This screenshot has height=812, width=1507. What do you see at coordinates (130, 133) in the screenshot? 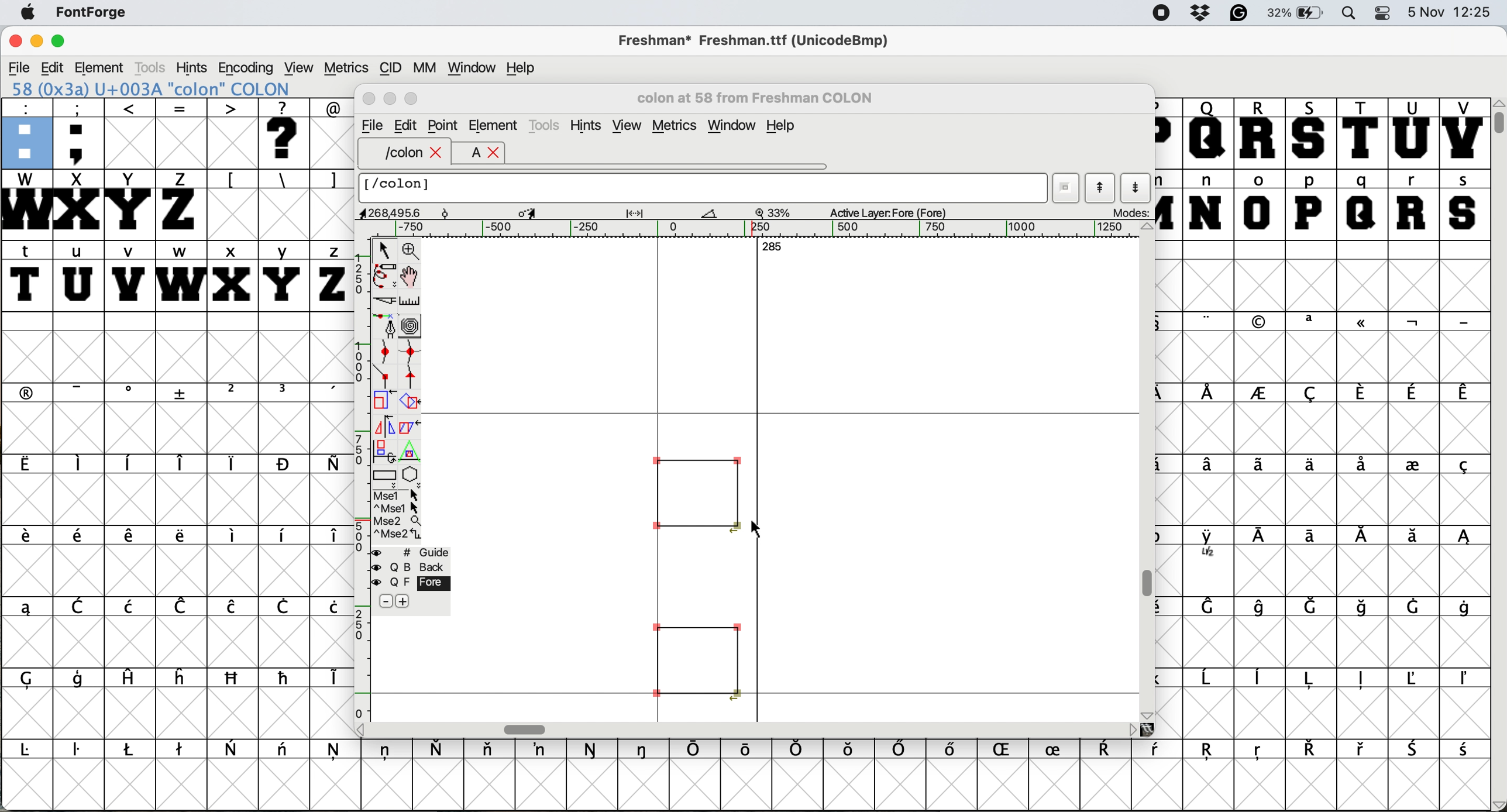
I see `<` at bounding box center [130, 133].